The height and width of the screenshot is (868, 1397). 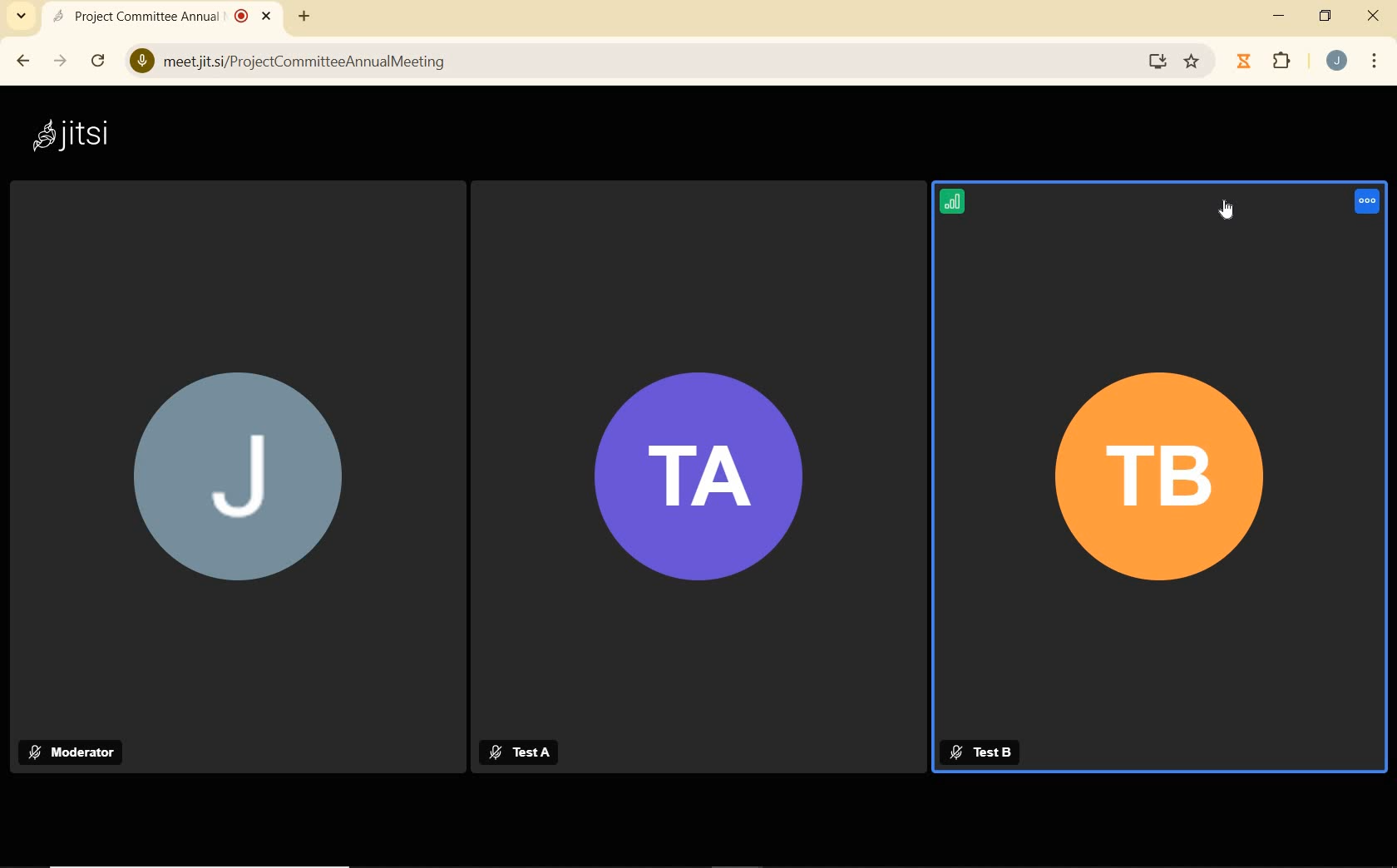 I want to click on View Site Information, so click(x=142, y=62).